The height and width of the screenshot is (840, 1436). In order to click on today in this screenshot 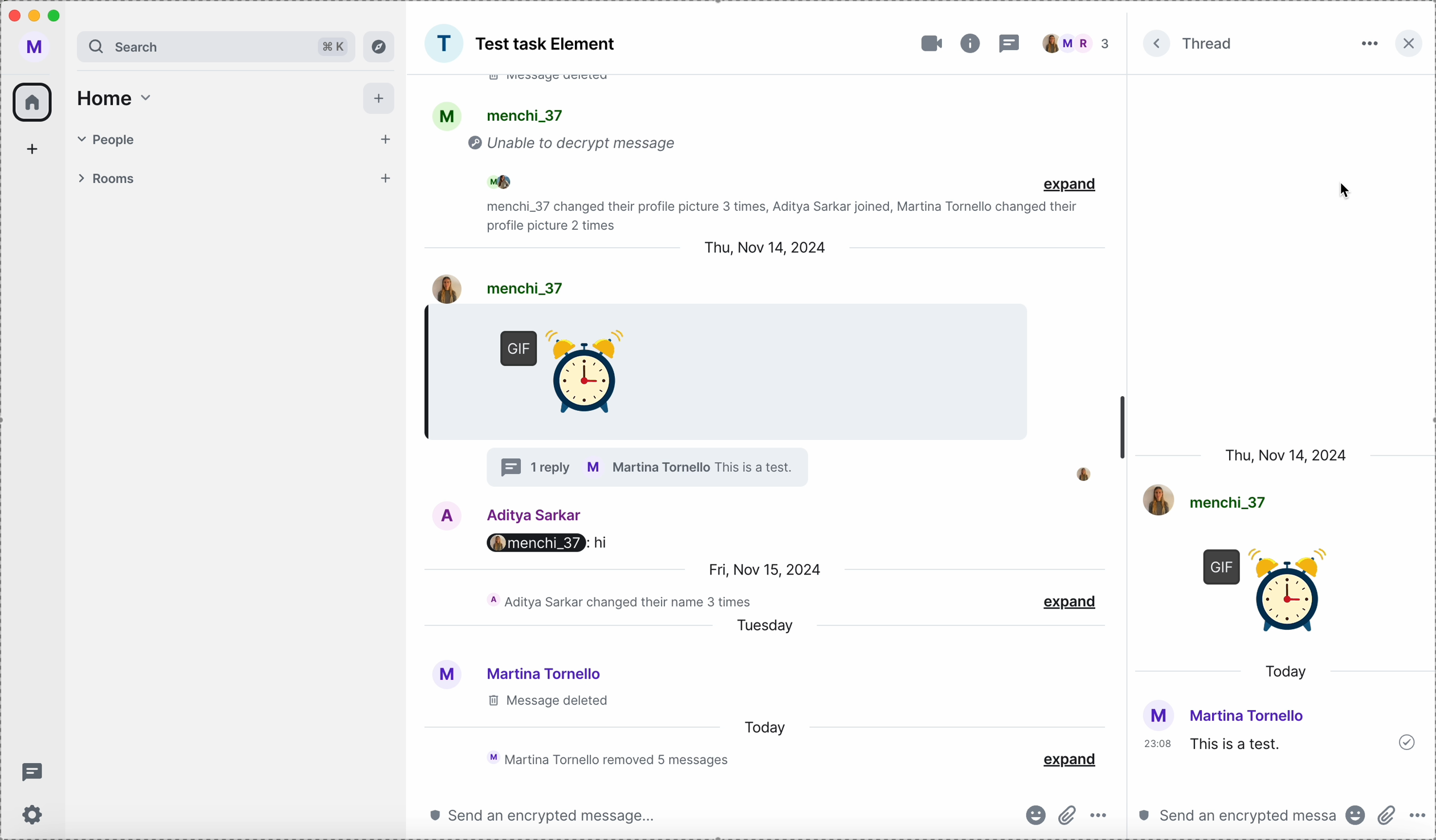, I will do `click(772, 727)`.